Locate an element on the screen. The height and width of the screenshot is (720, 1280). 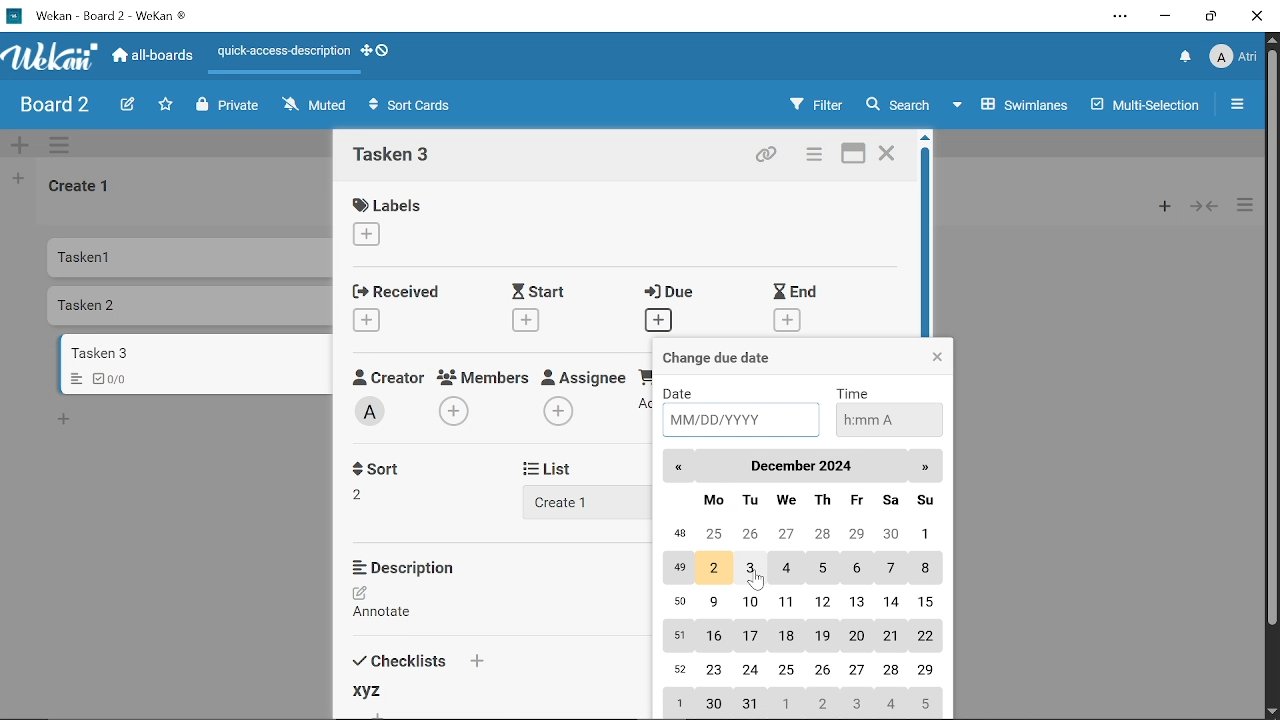
Creator  is located at coordinates (373, 412).